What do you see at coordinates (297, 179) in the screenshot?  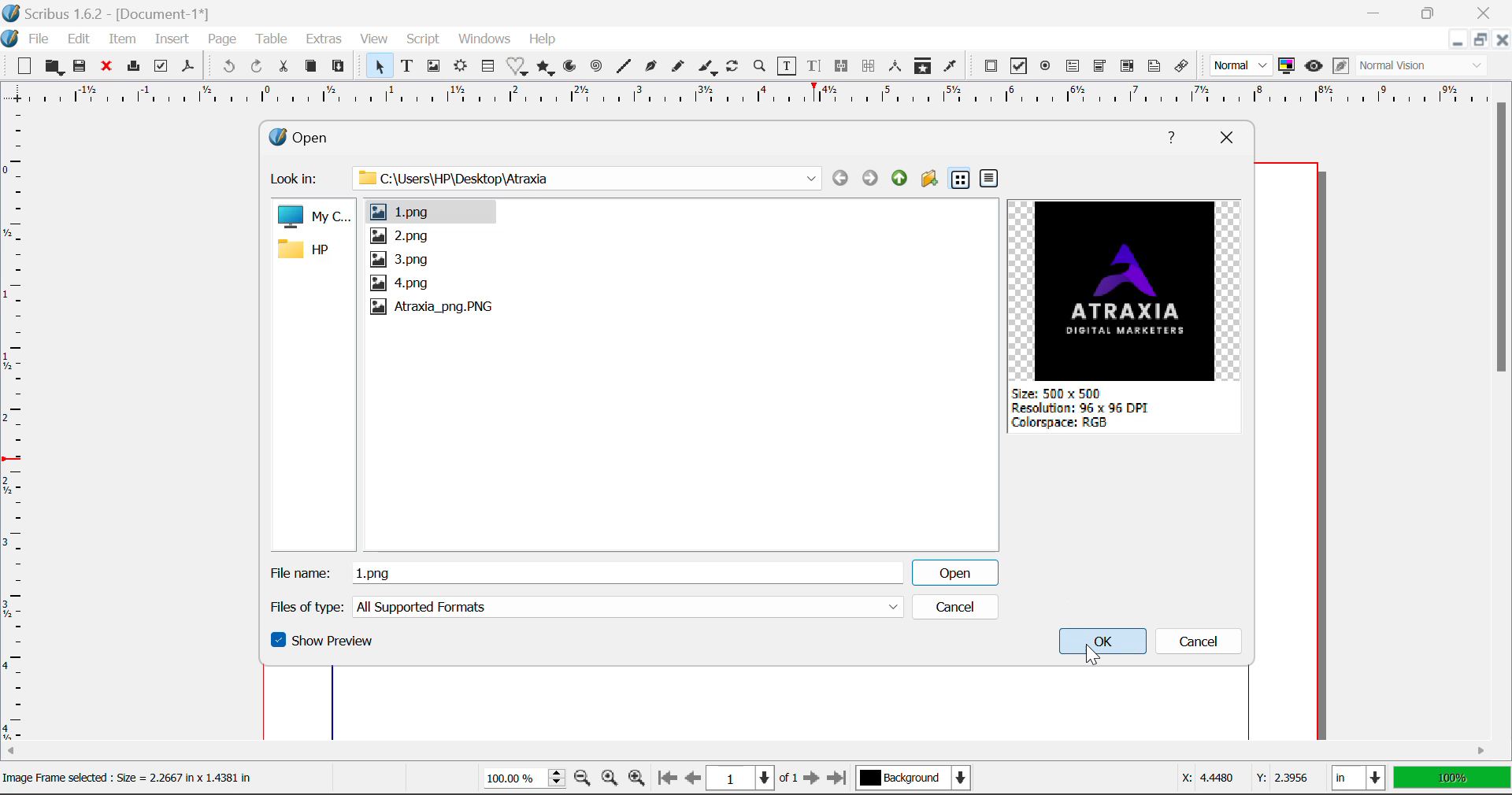 I see `Look in:` at bounding box center [297, 179].